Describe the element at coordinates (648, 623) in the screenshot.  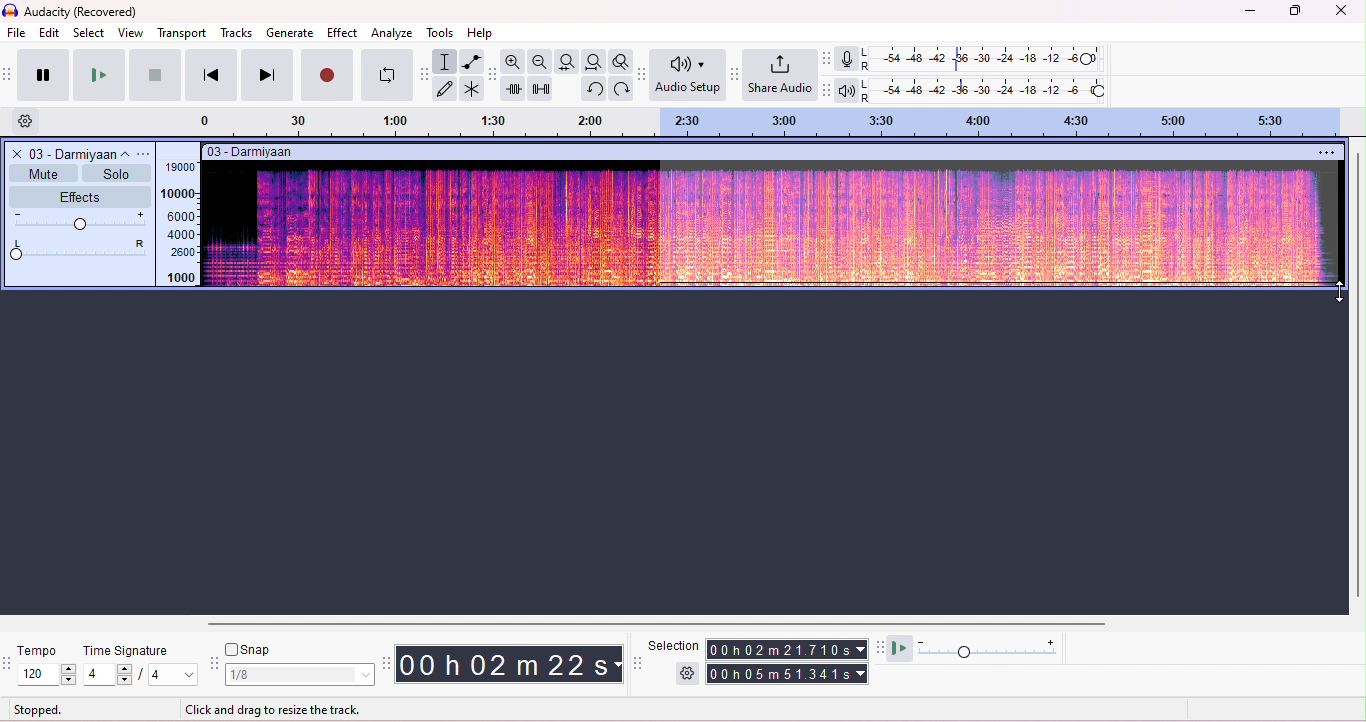
I see `horizontal scroll bar` at that location.